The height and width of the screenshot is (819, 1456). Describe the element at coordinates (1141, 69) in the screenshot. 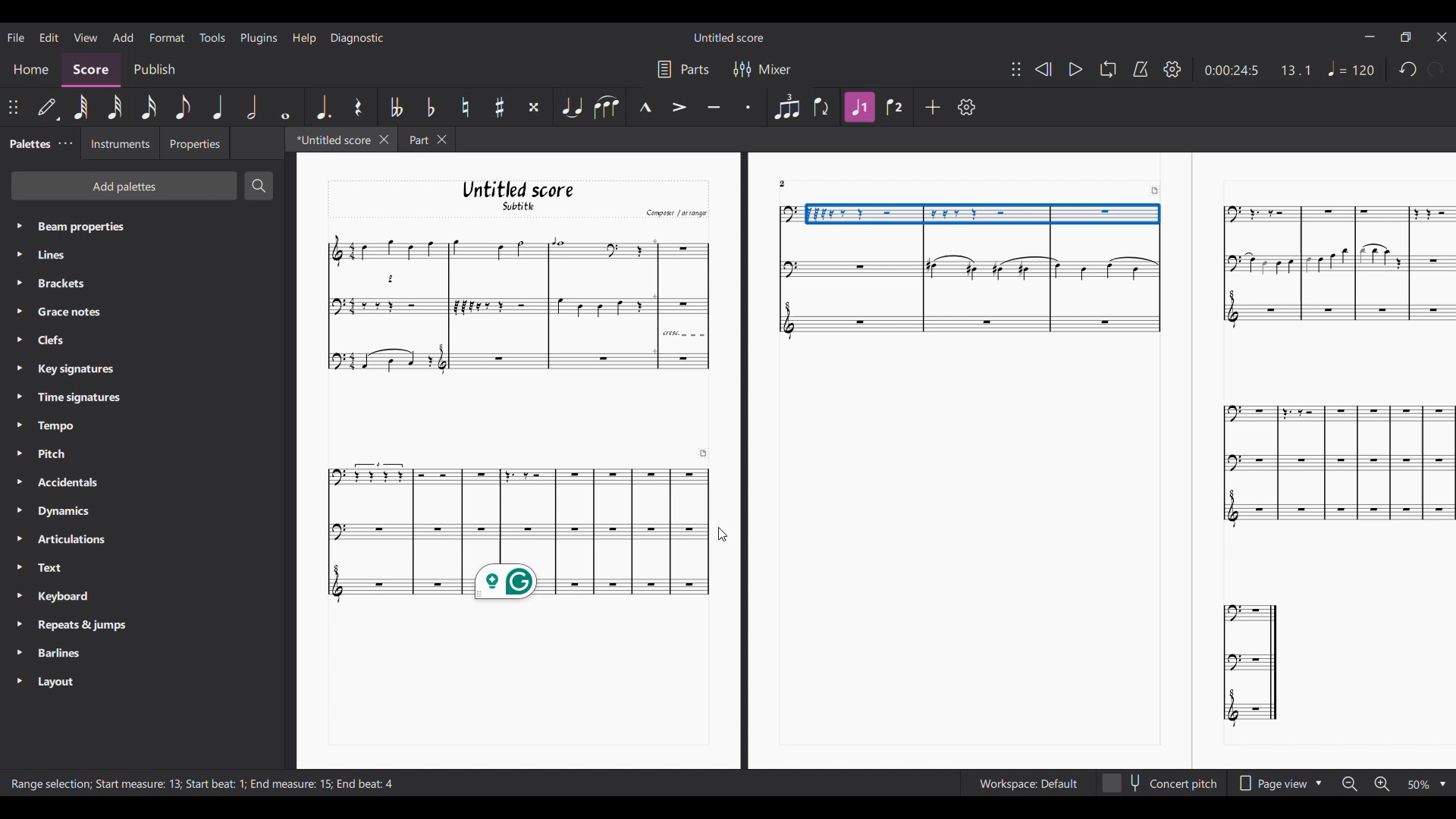

I see `Metronome` at that location.